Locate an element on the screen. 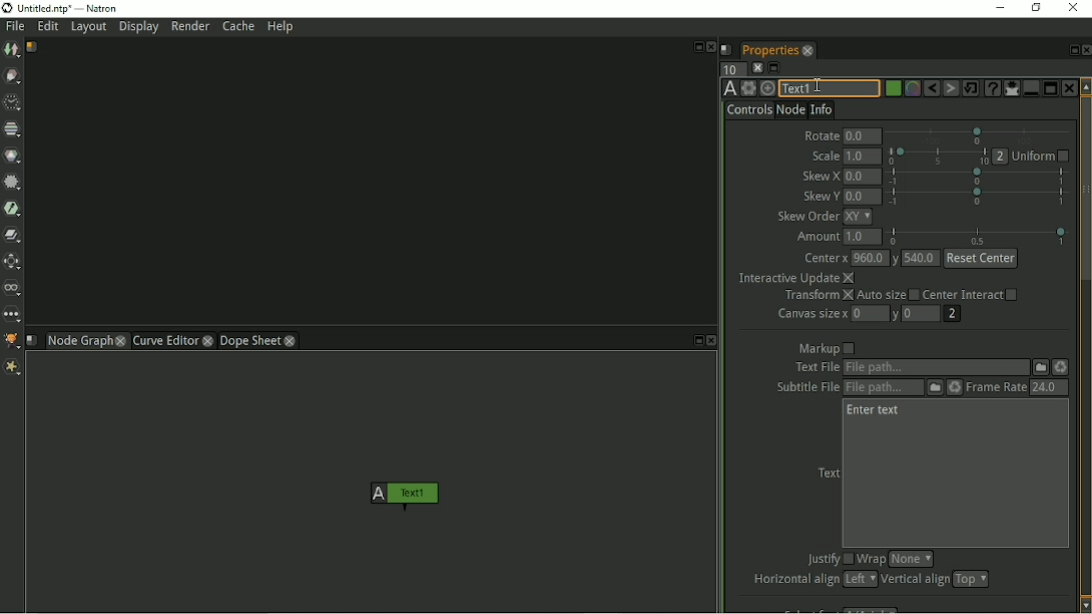 Image resolution: width=1092 pixels, height=614 pixels. none is located at coordinates (911, 559).